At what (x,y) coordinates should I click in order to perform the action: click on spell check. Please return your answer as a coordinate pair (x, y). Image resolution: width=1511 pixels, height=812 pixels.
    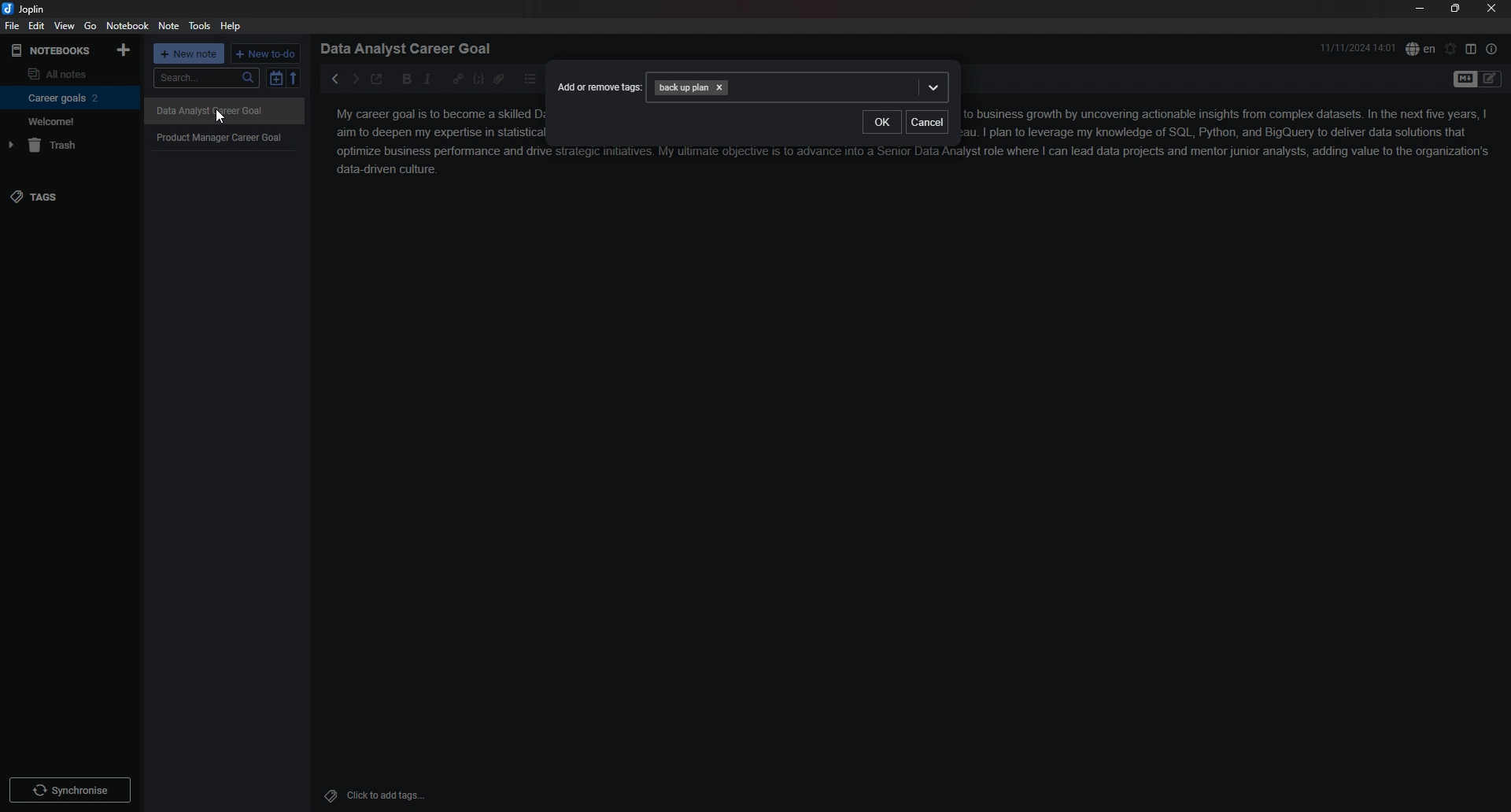
    Looking at the image, I should click on (1420, 49).